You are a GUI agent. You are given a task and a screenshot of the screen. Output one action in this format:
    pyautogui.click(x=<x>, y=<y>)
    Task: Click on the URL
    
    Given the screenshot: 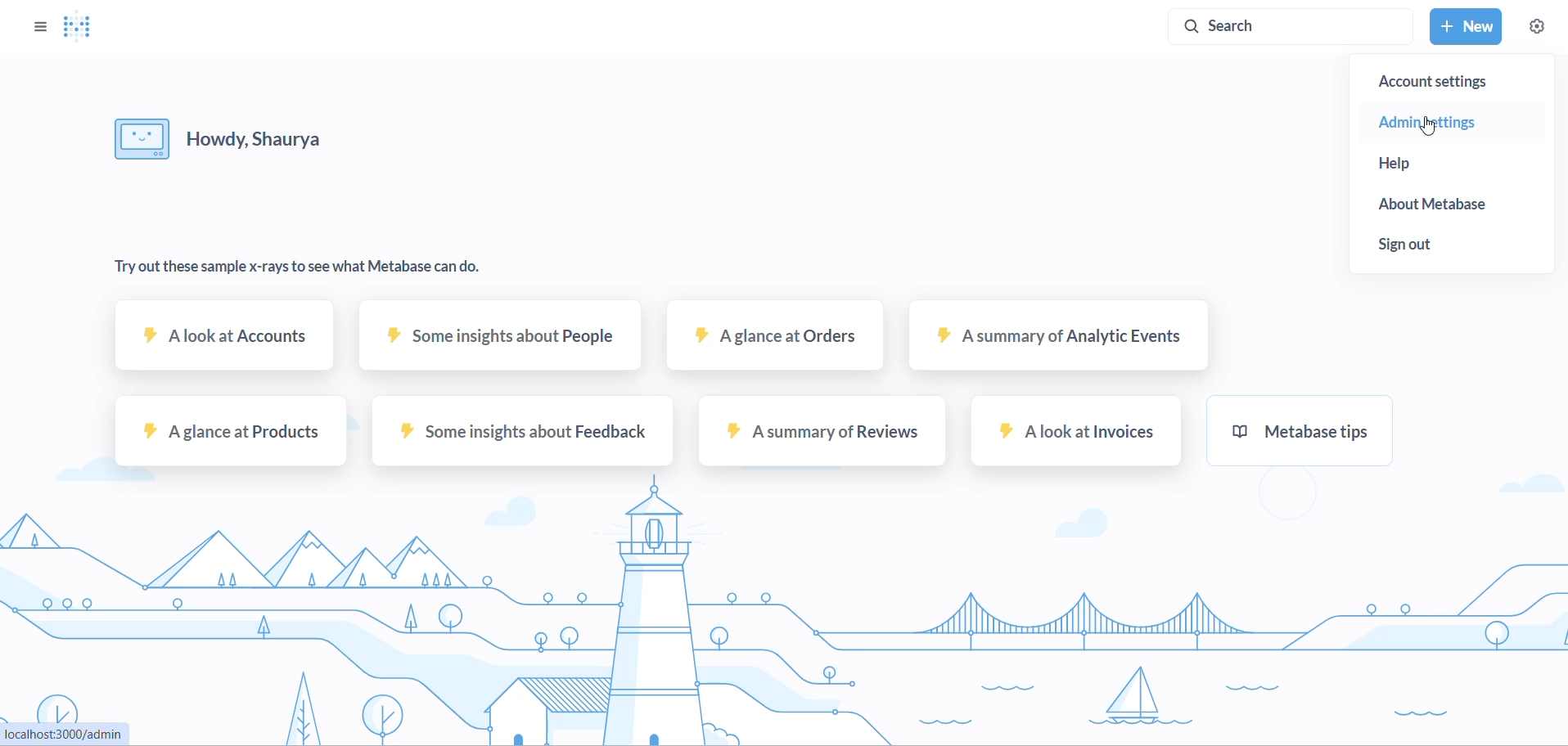 What is the action you would take?
    pyautogui.click(x=68, y=737)
    